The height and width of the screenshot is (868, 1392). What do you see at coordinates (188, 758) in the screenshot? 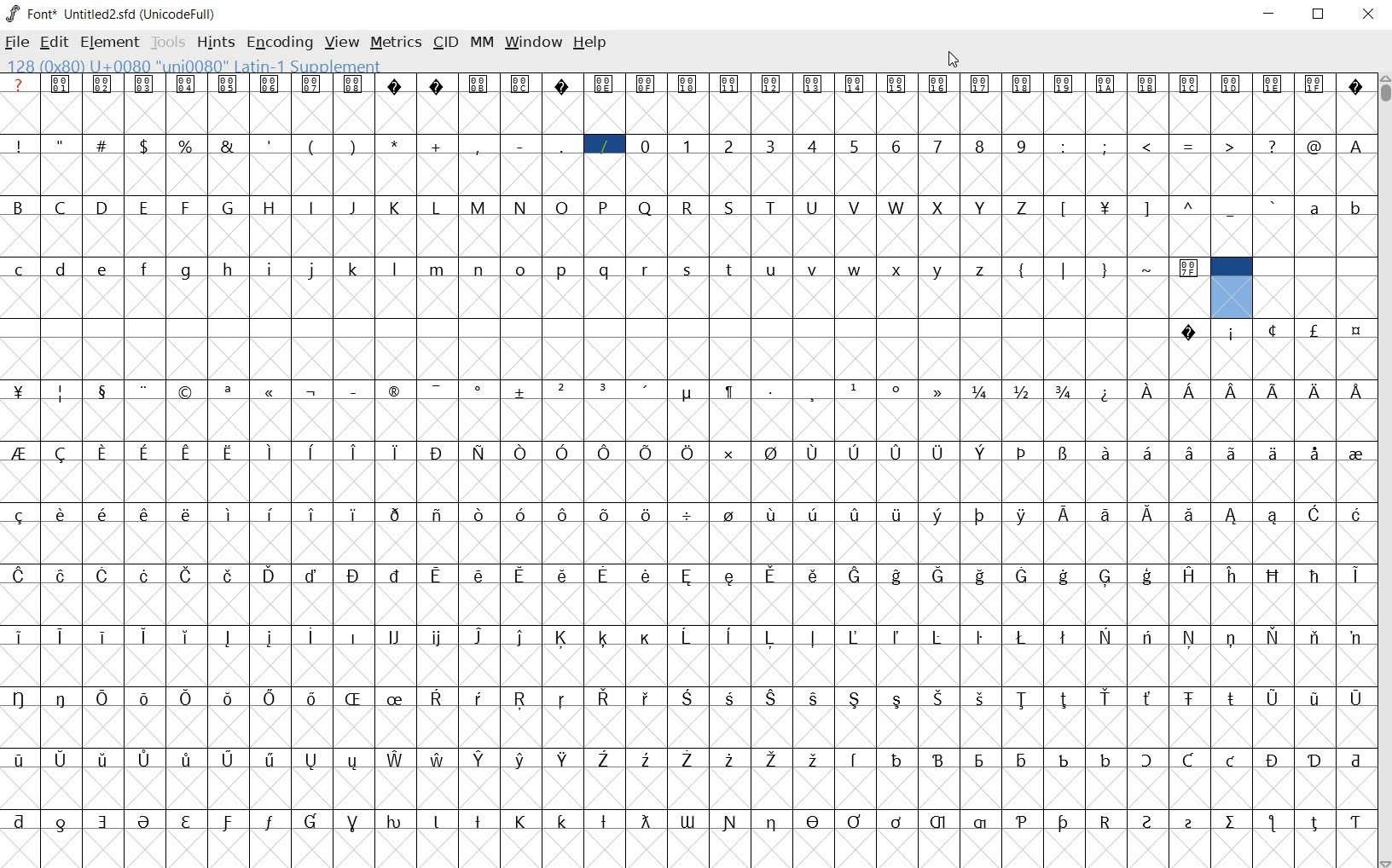
I see `Symbol` at bounding box center [188, 758].